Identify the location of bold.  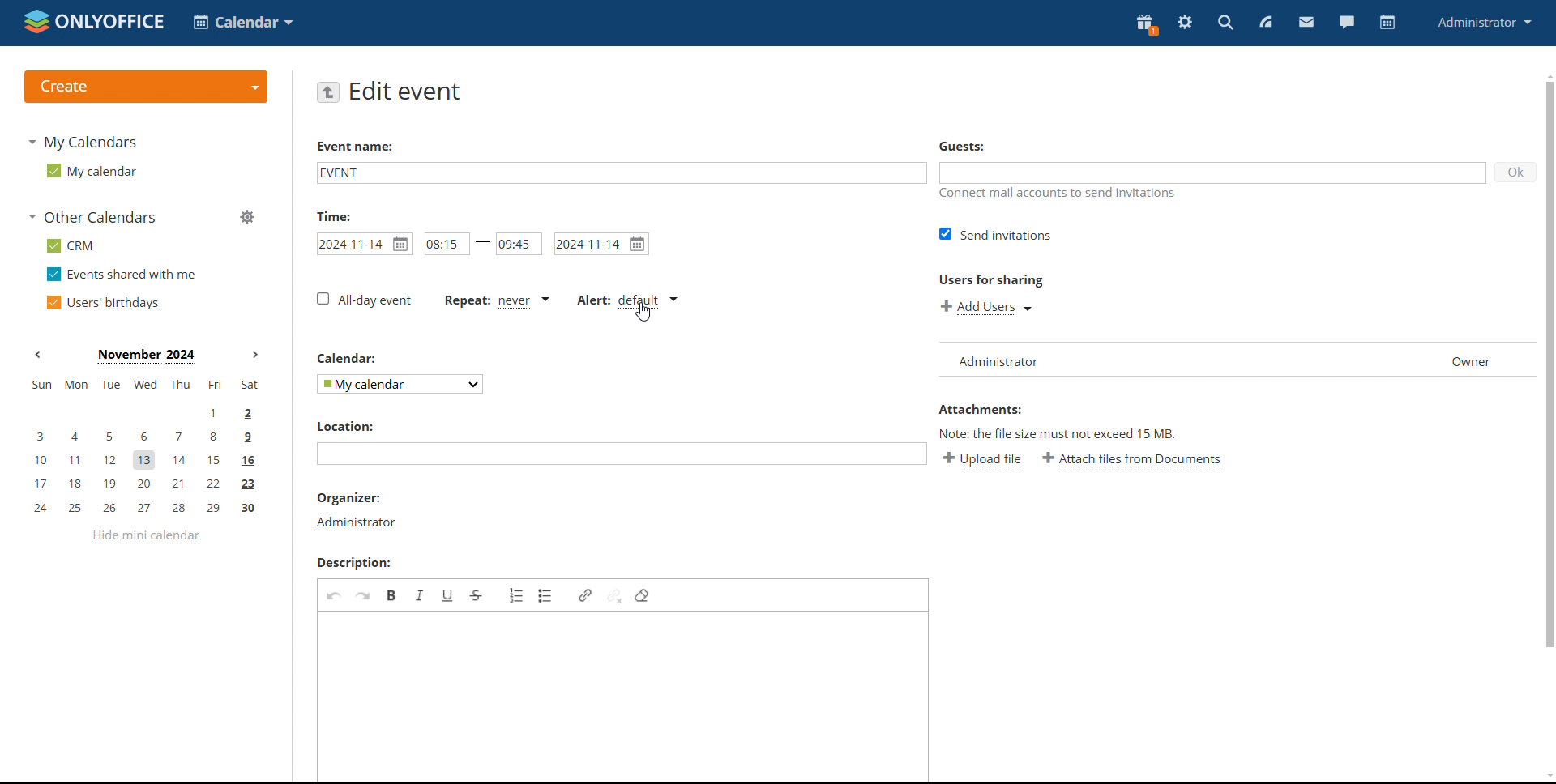
(392, 595).